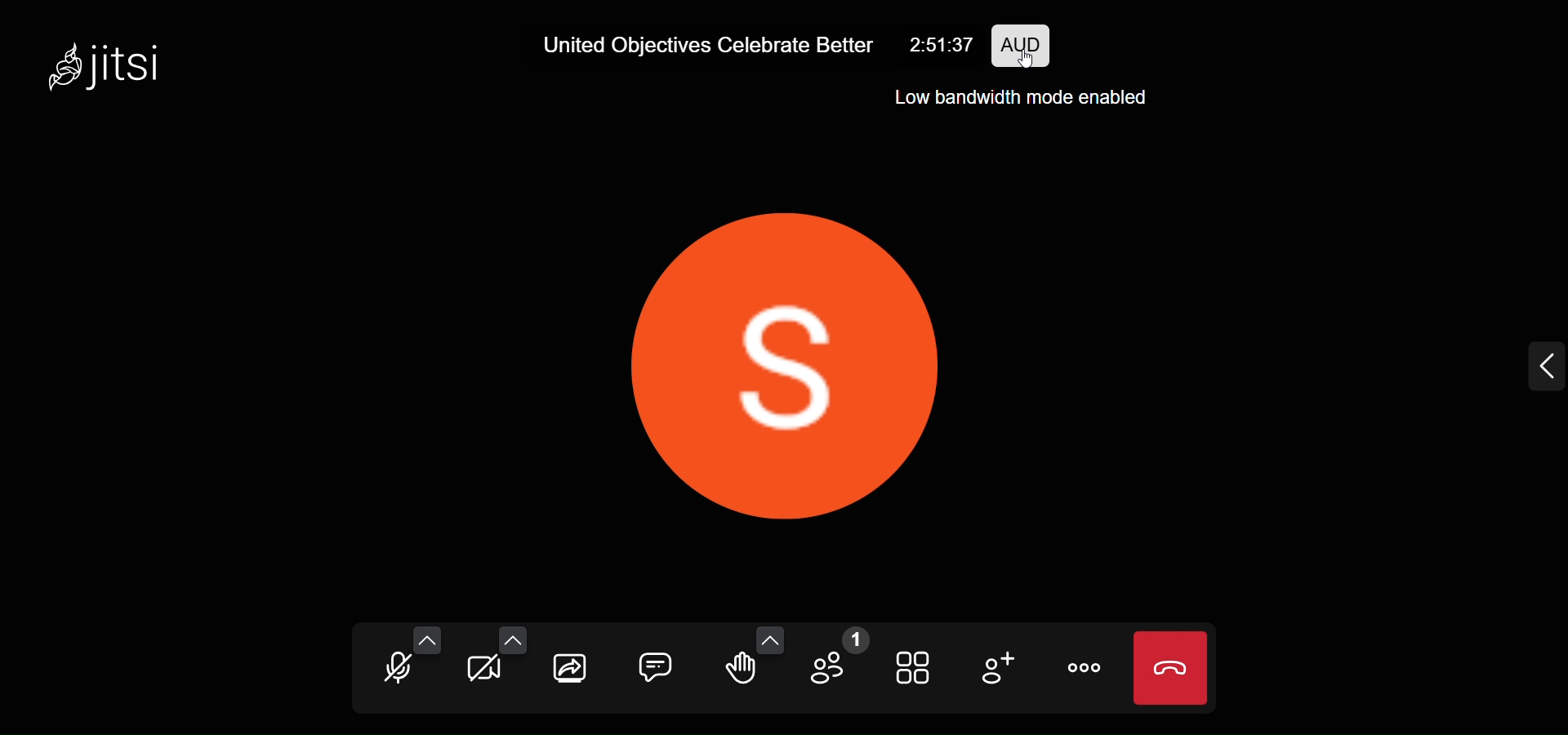 This screenshot has width=1568, height=735. I want to click on tile view, so click(915, 667).